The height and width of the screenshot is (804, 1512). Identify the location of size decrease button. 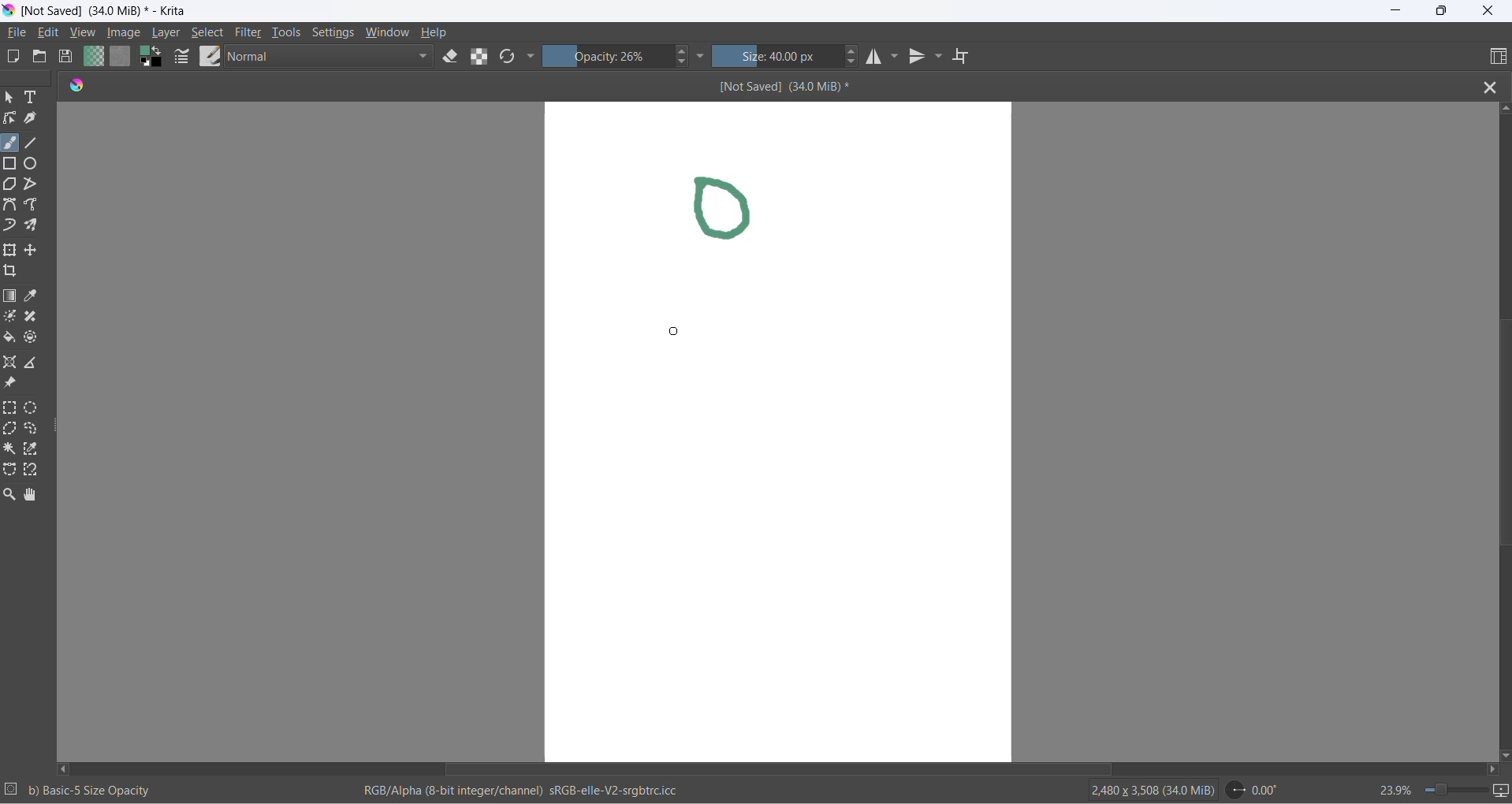
(855, 65).